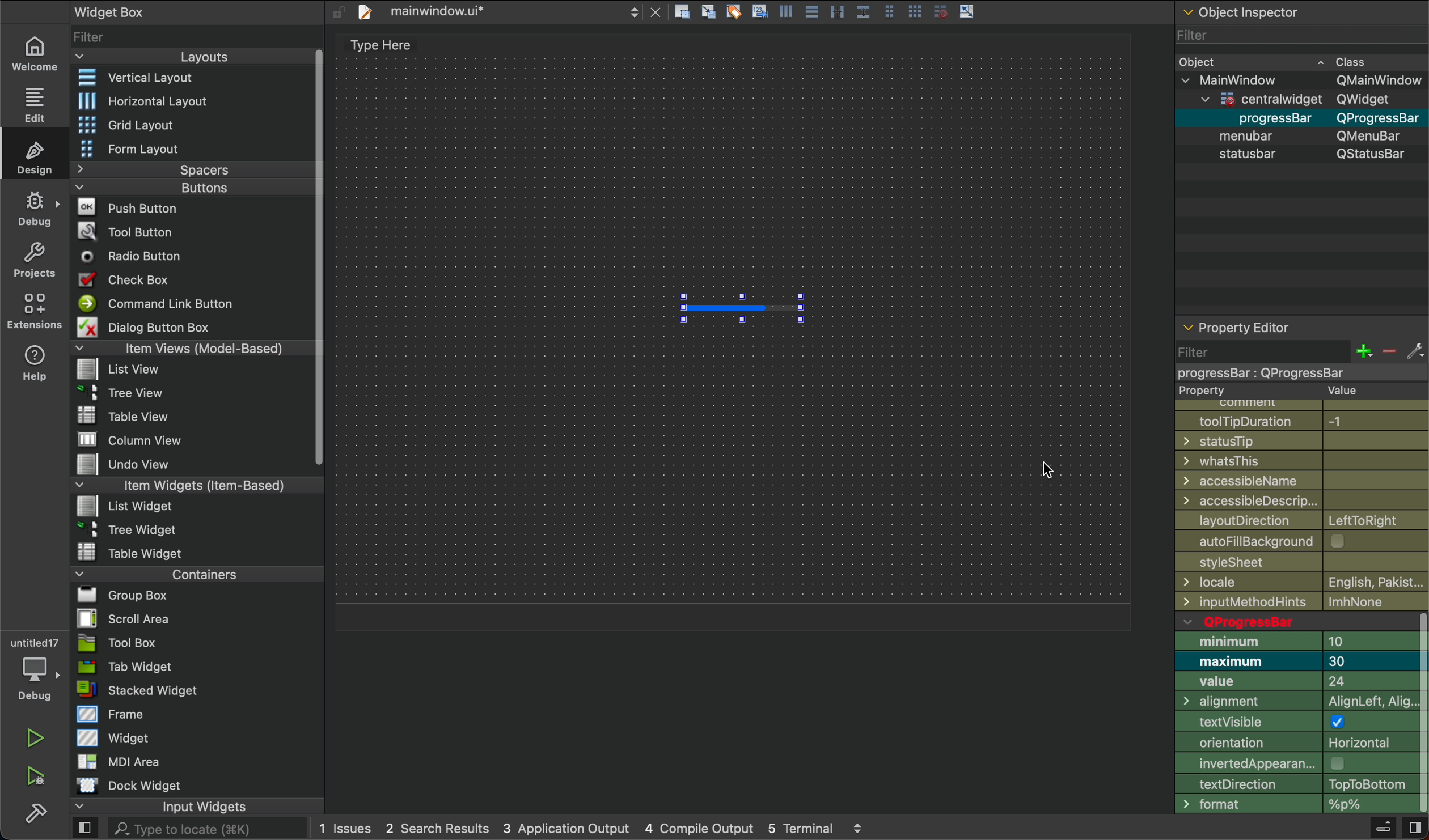 The image size is (1429, 840). I want to click on help, so click(36, 362).